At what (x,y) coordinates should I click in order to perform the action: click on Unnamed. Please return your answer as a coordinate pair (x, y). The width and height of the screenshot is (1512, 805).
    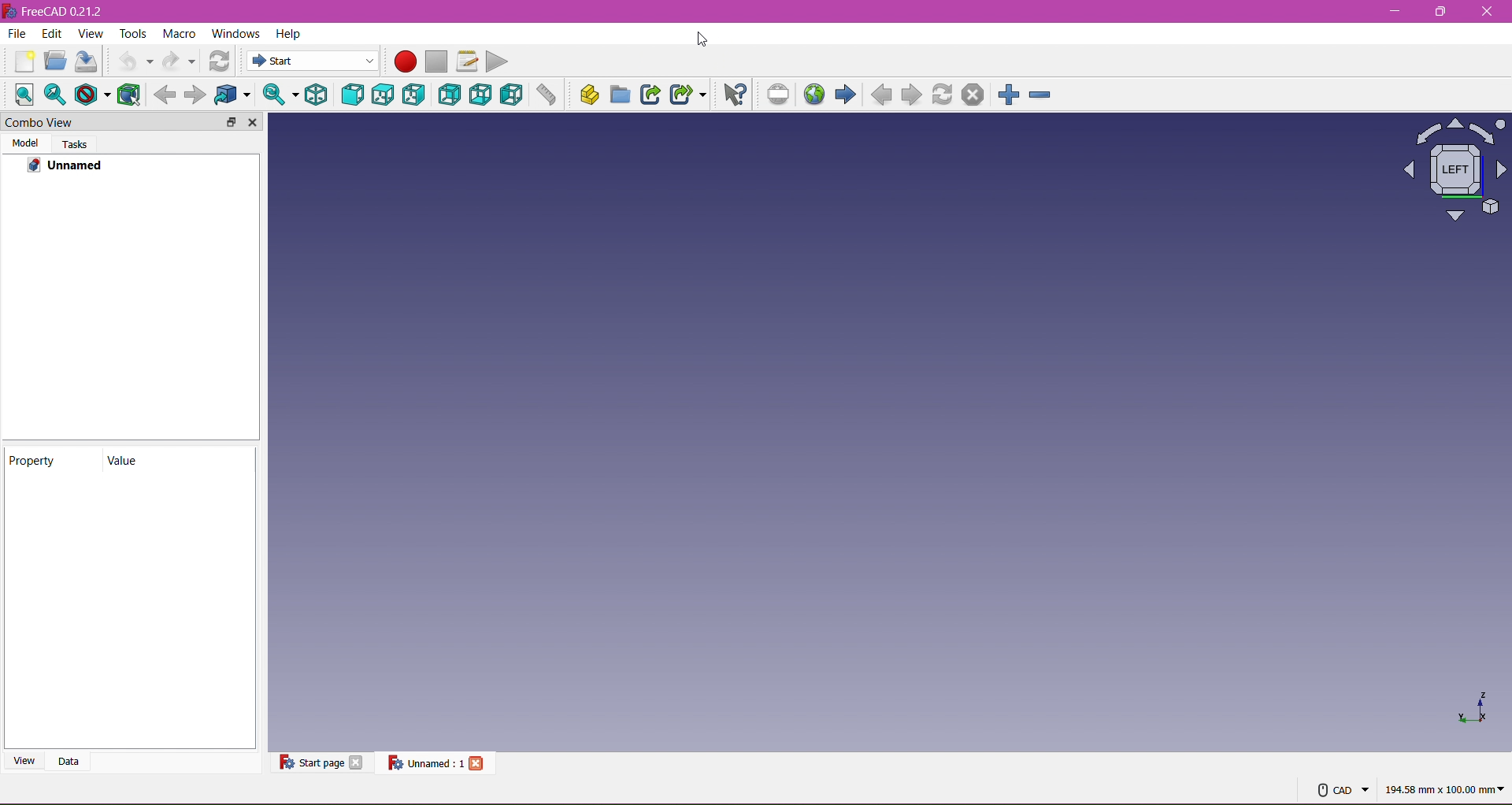
    Looking at the image, I should click on (67, 166).